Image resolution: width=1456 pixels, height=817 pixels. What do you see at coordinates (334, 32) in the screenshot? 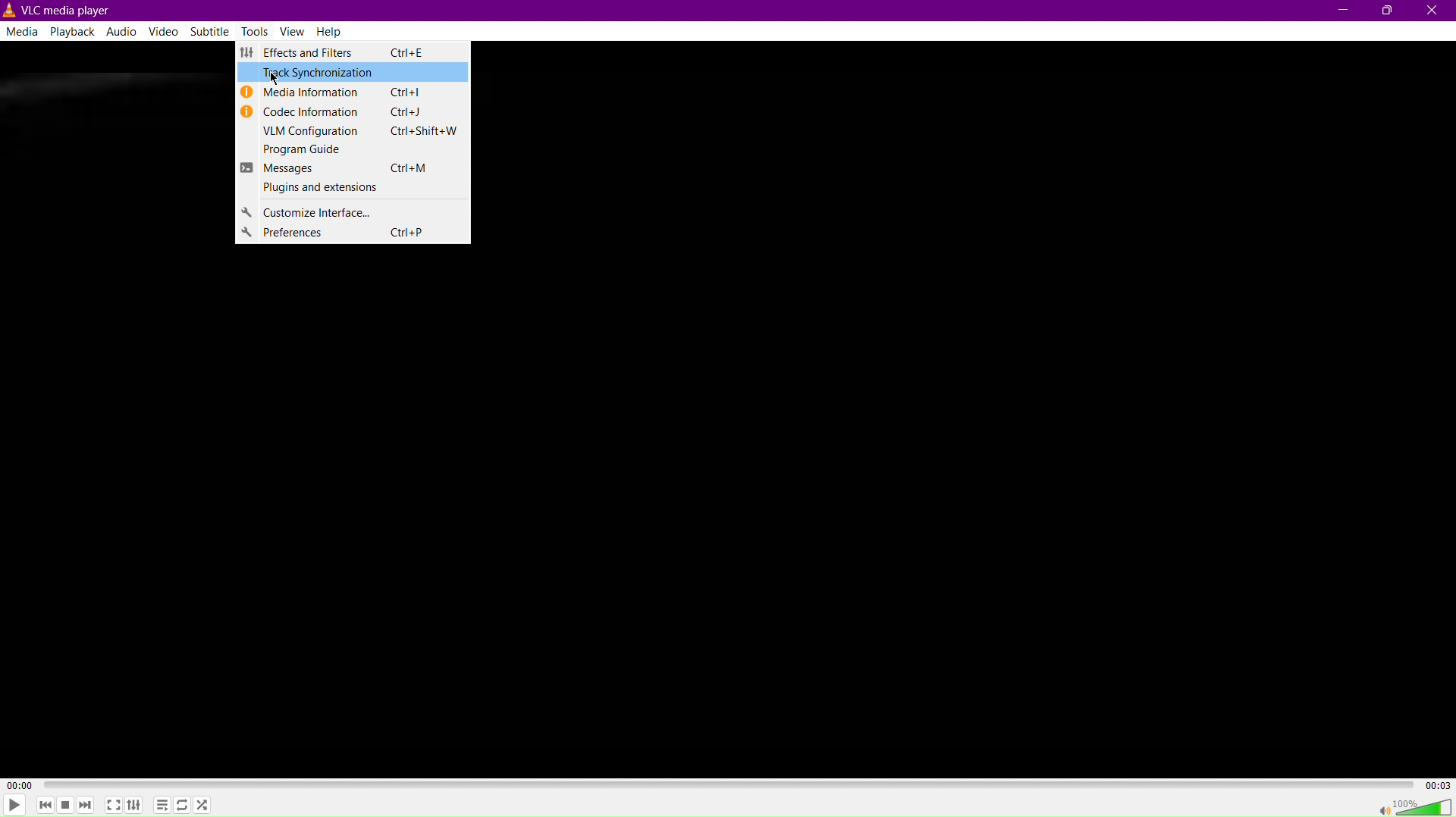
I see `Help` at bounding box center [334, 32].